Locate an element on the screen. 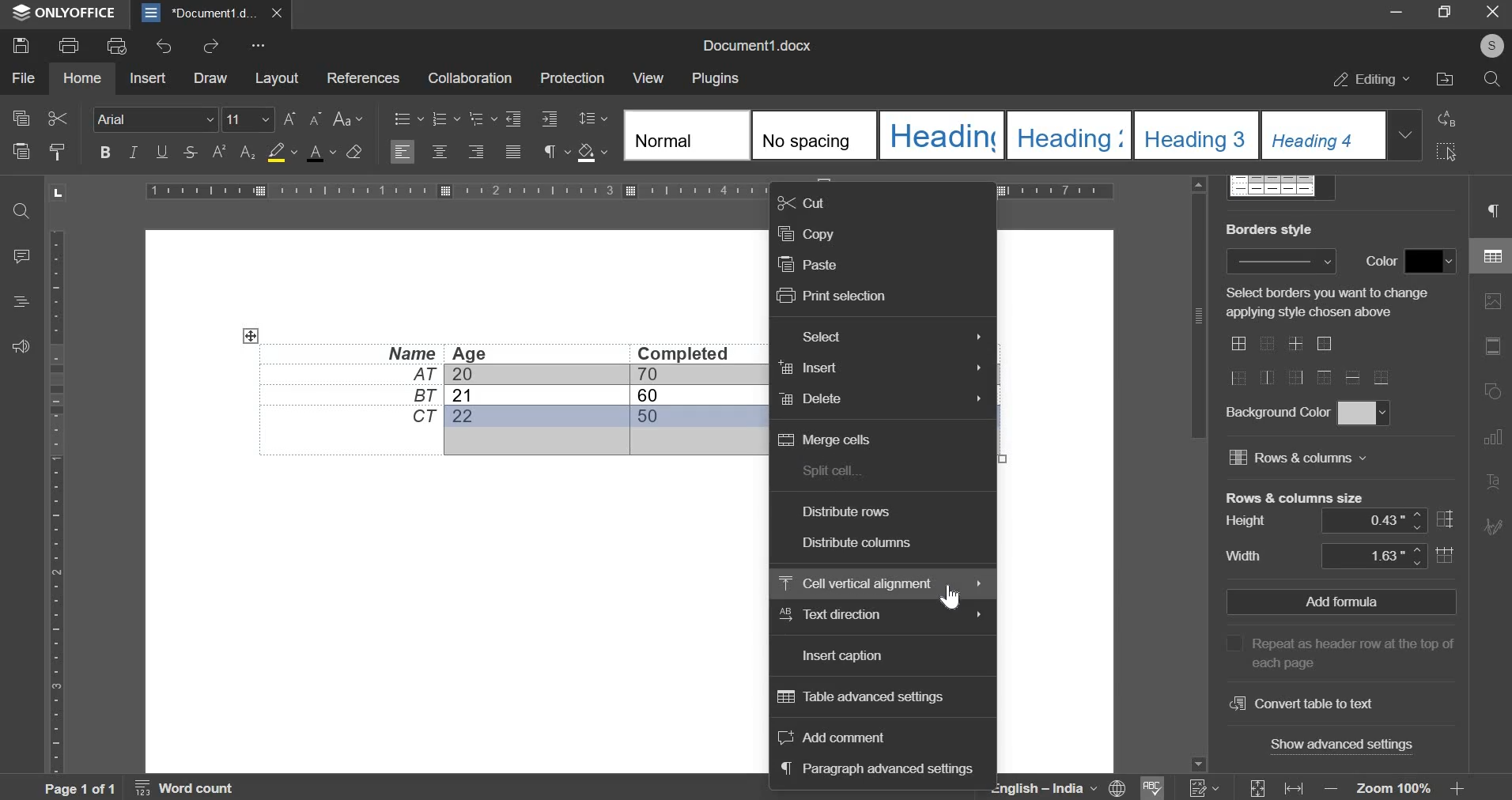 This screenshot has width=1512, height=800. font color is located at coordinates (320, 153).